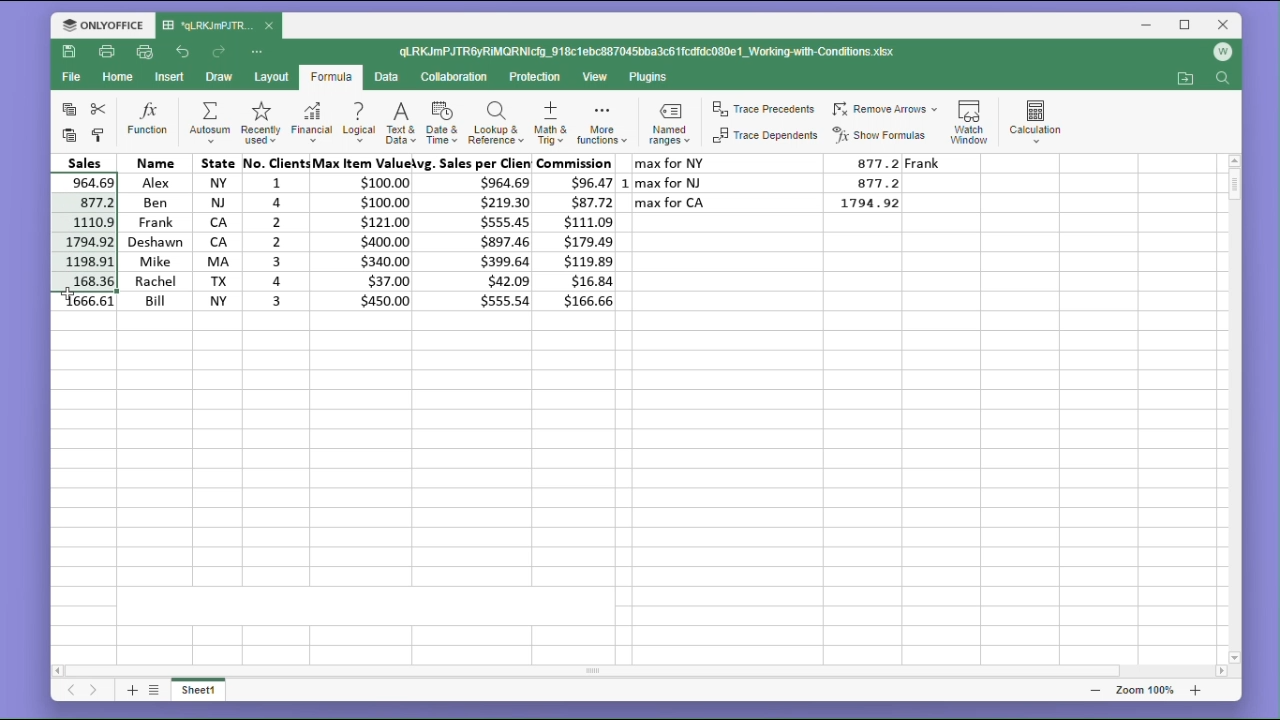 The height and width of the screenshot is (720, 1280). I want to click on empty cells, so click(637, 493).